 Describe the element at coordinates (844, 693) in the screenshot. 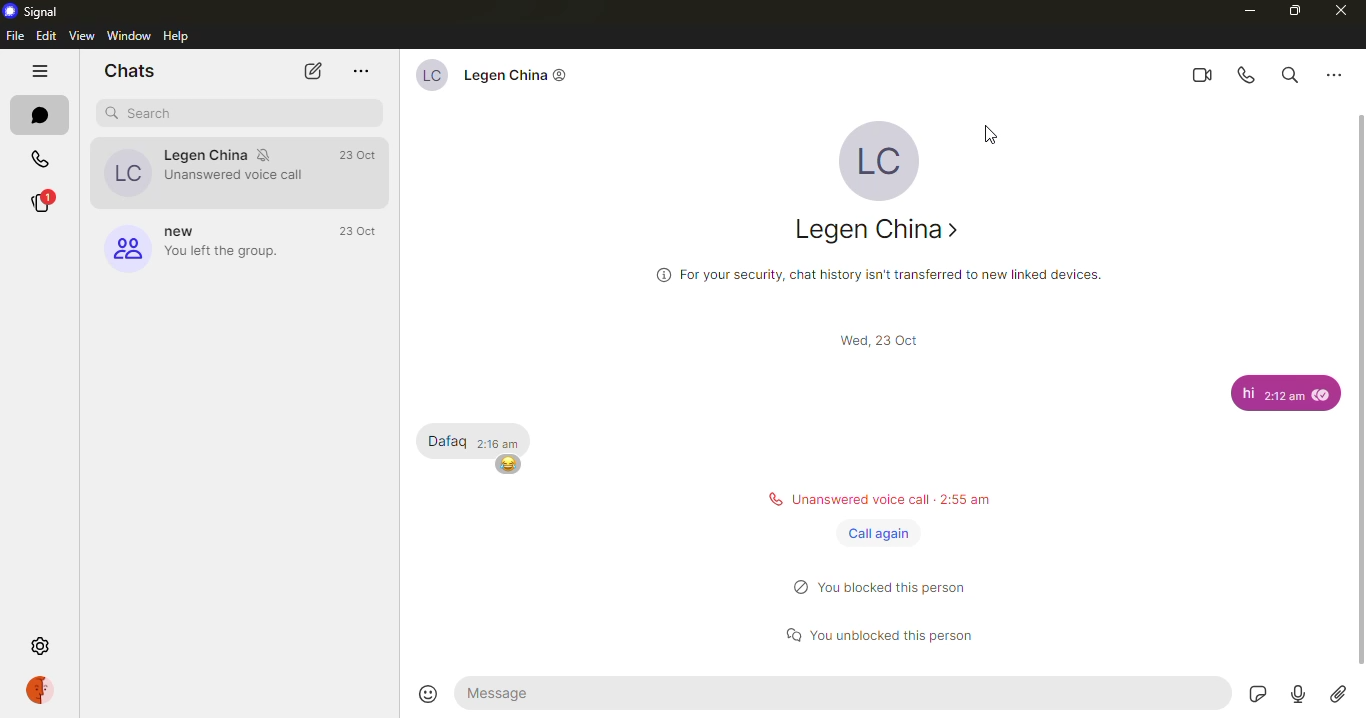

I see `message` at that location.